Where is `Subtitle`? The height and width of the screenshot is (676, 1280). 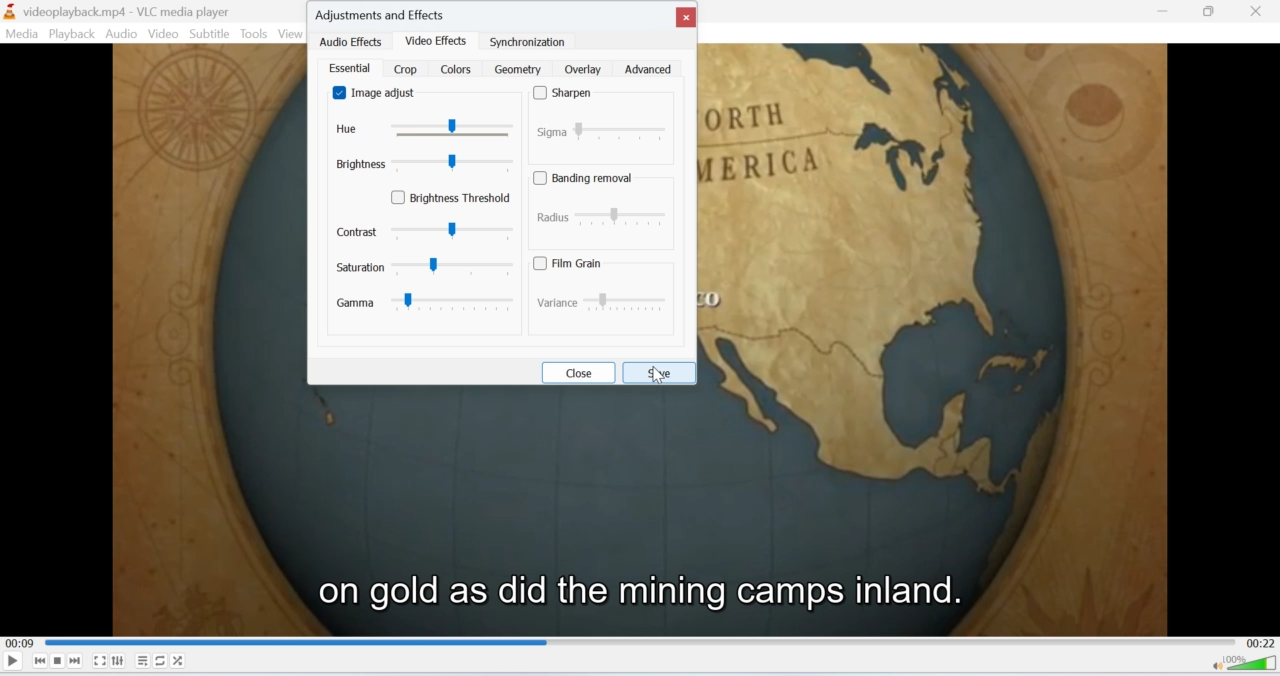 Subtitle is located at coordinates (209, 35).